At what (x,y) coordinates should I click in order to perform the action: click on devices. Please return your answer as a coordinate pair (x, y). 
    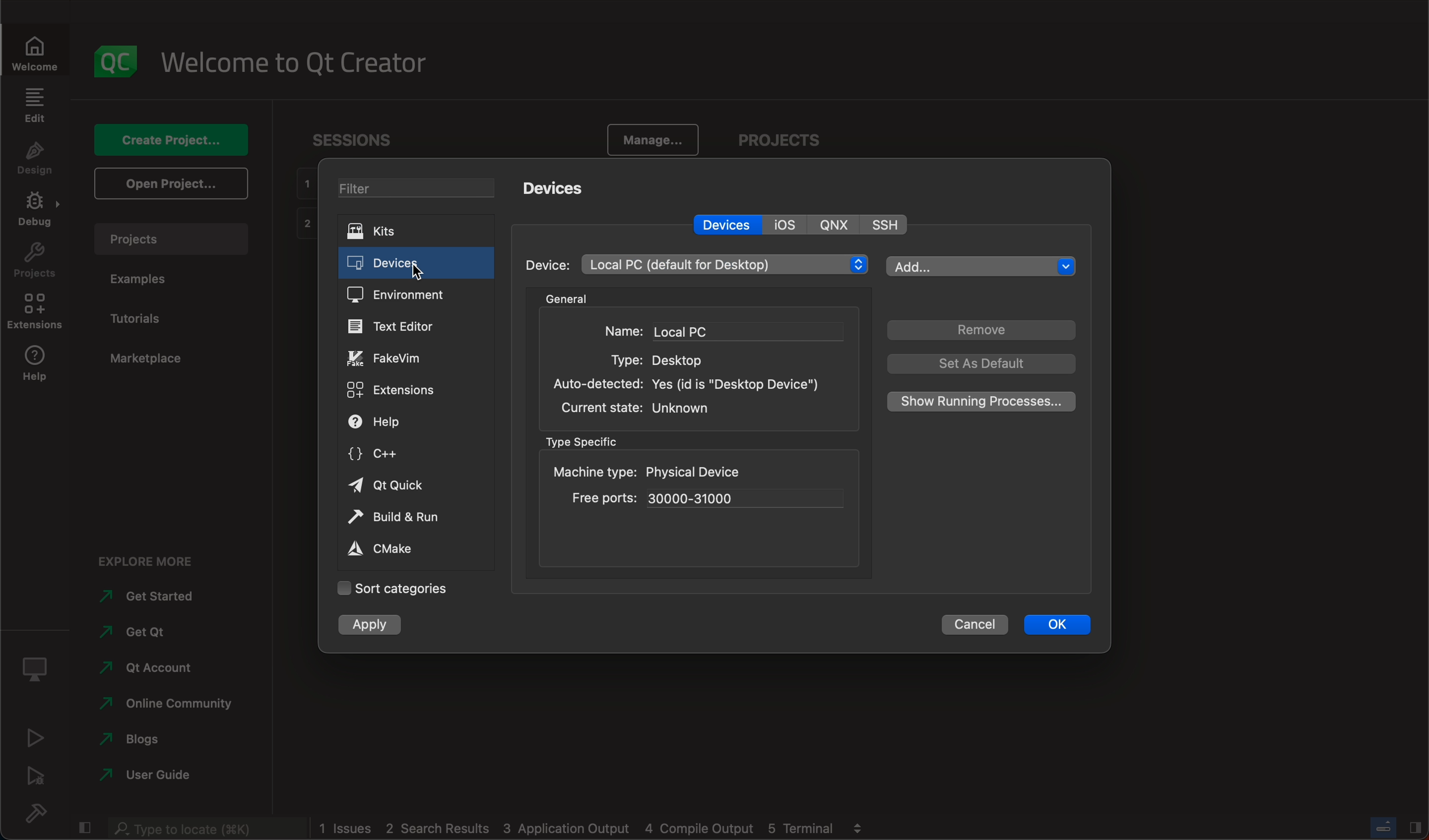
    Looking at the image, I should click on (561, 187).